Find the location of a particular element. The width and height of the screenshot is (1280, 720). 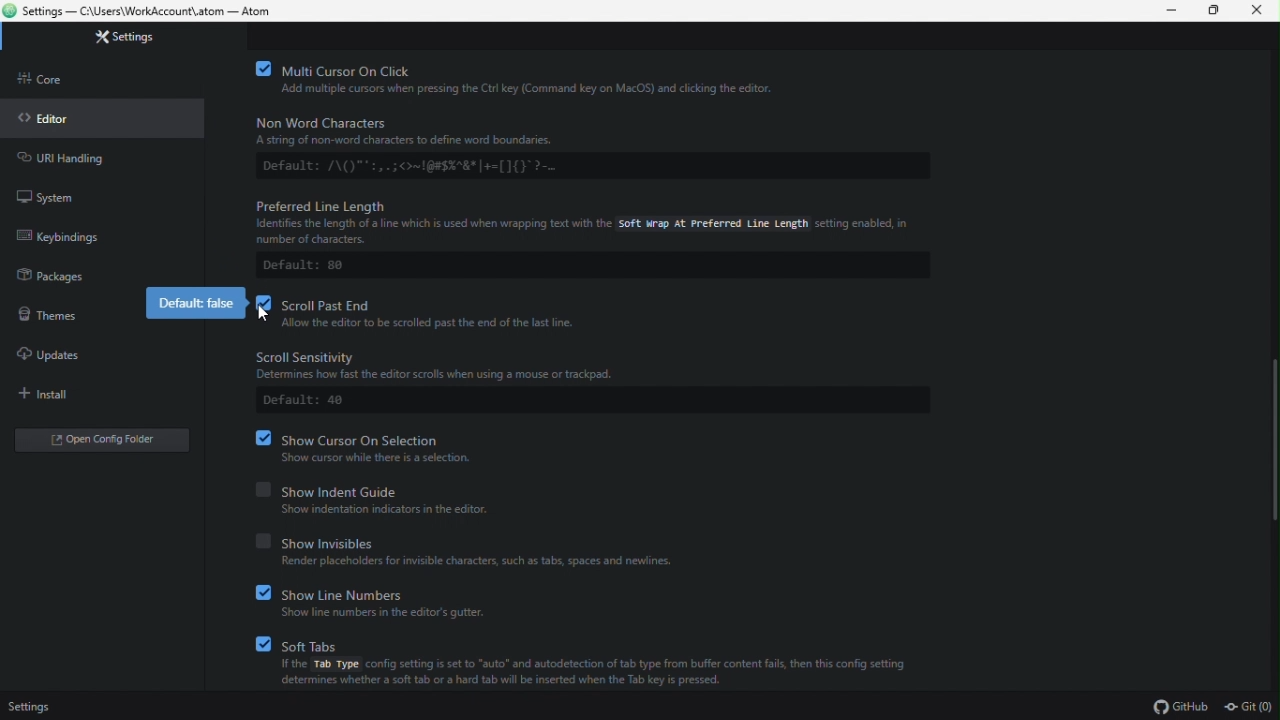

Settings is located at coordinates (30, 704).